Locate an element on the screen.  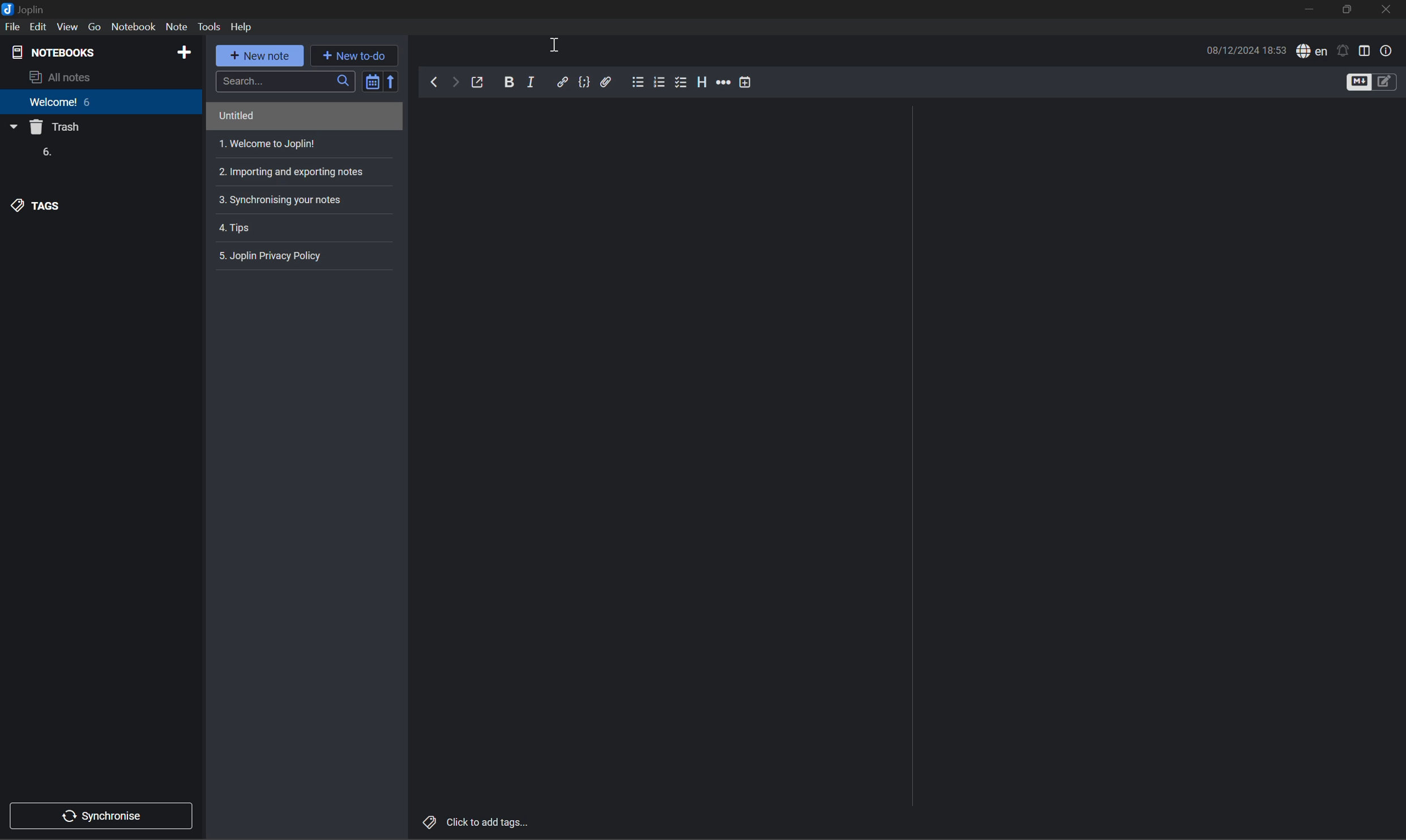
Minimize is located at coordinates (1314, 10).